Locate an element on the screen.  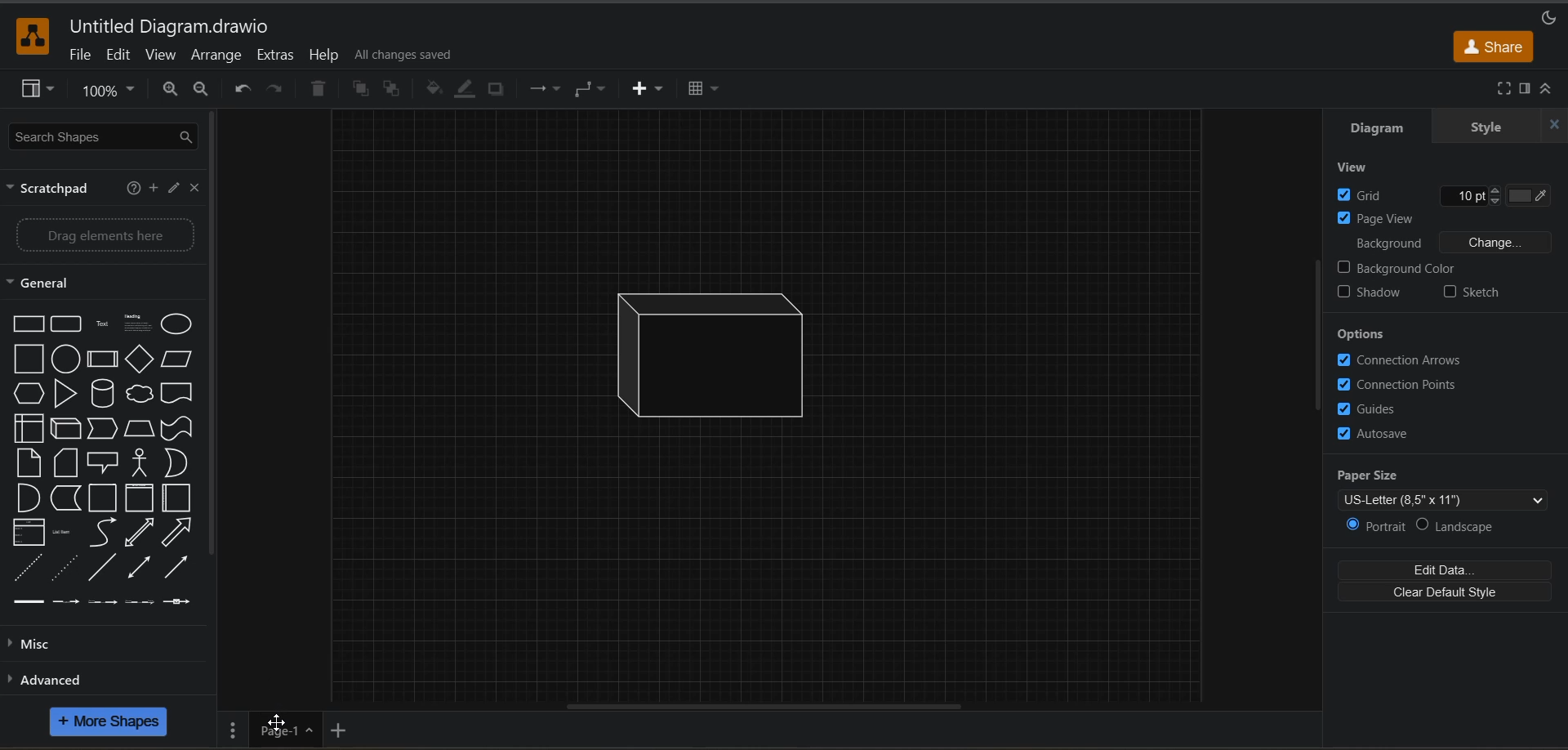
edit data is located at coordinates (1449, 569).